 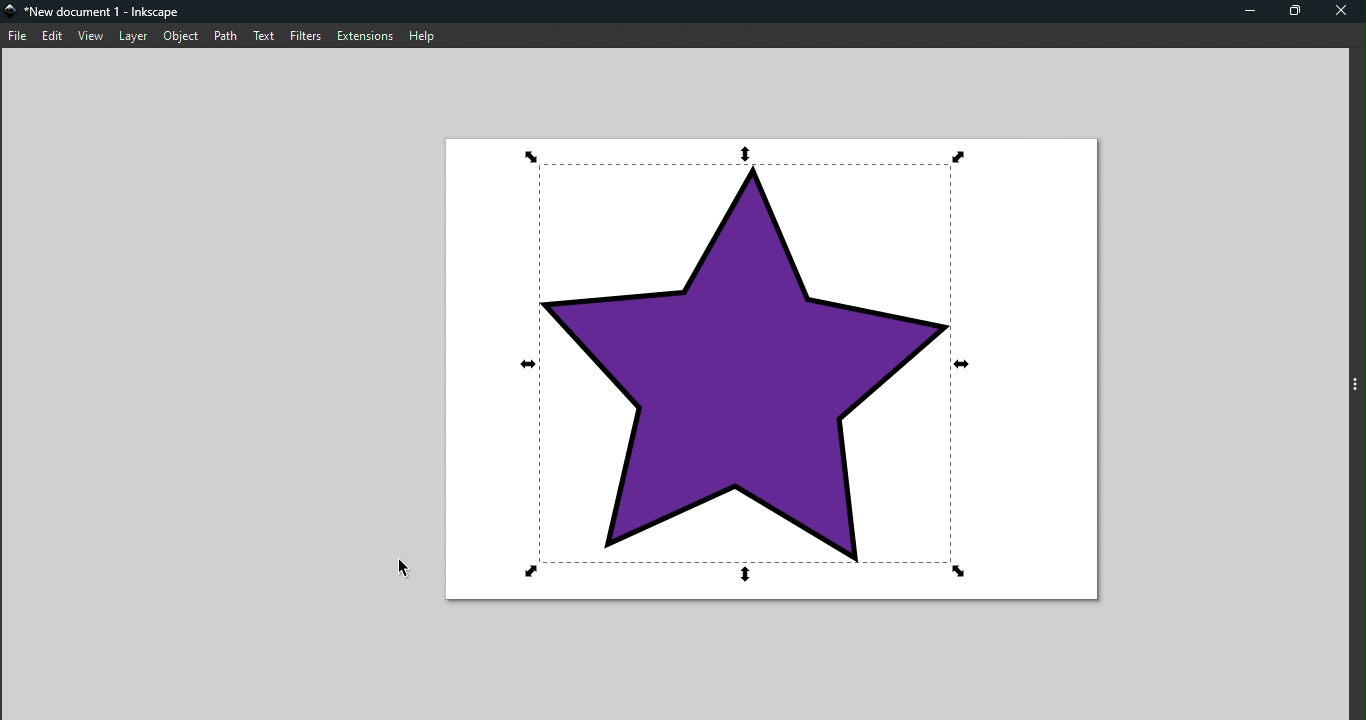 What do you see at coordinates (304, 33) in the screenshot?
I see `Filters` at bounding box center [304, 33].